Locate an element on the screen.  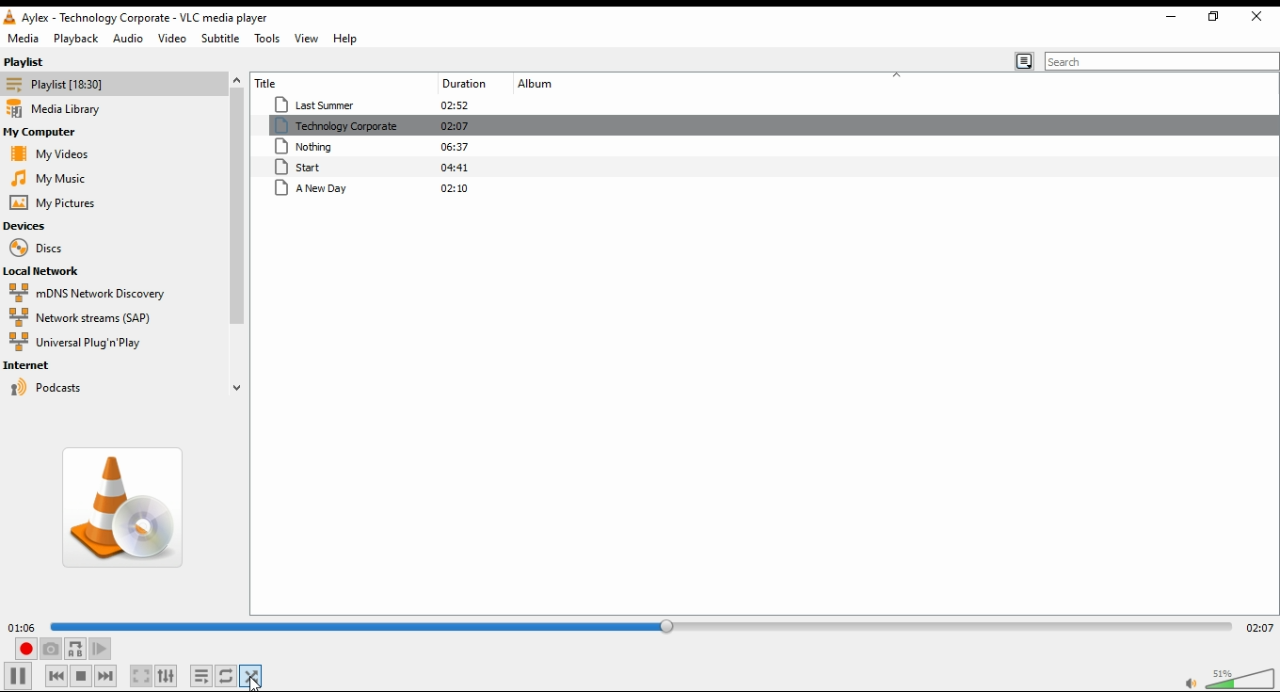
media library is located at coordinates (60, 109).